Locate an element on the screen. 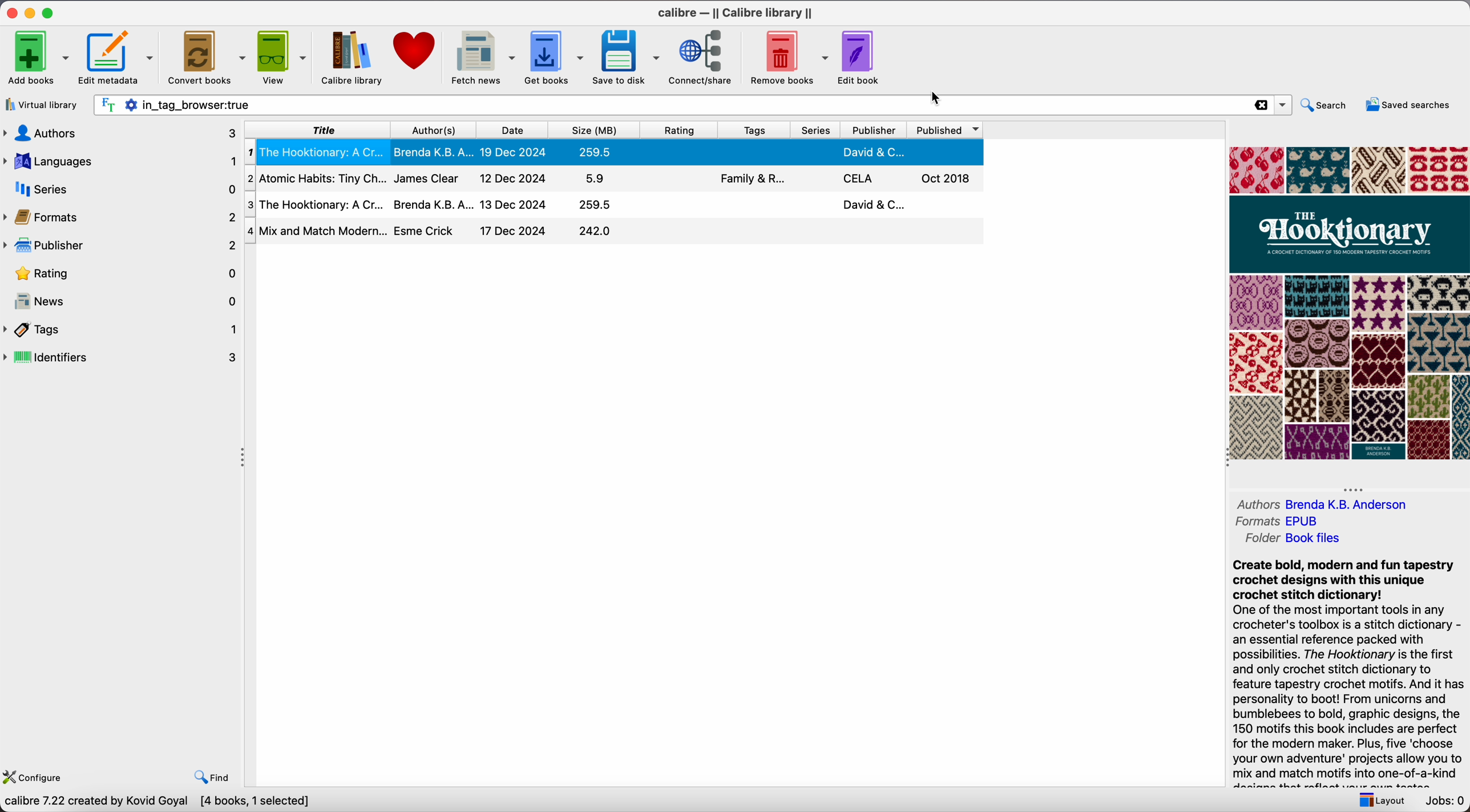 Image resolution: width=1470 pixels, height=812 pixels. 259.5 is located at coordinates (597, 152).